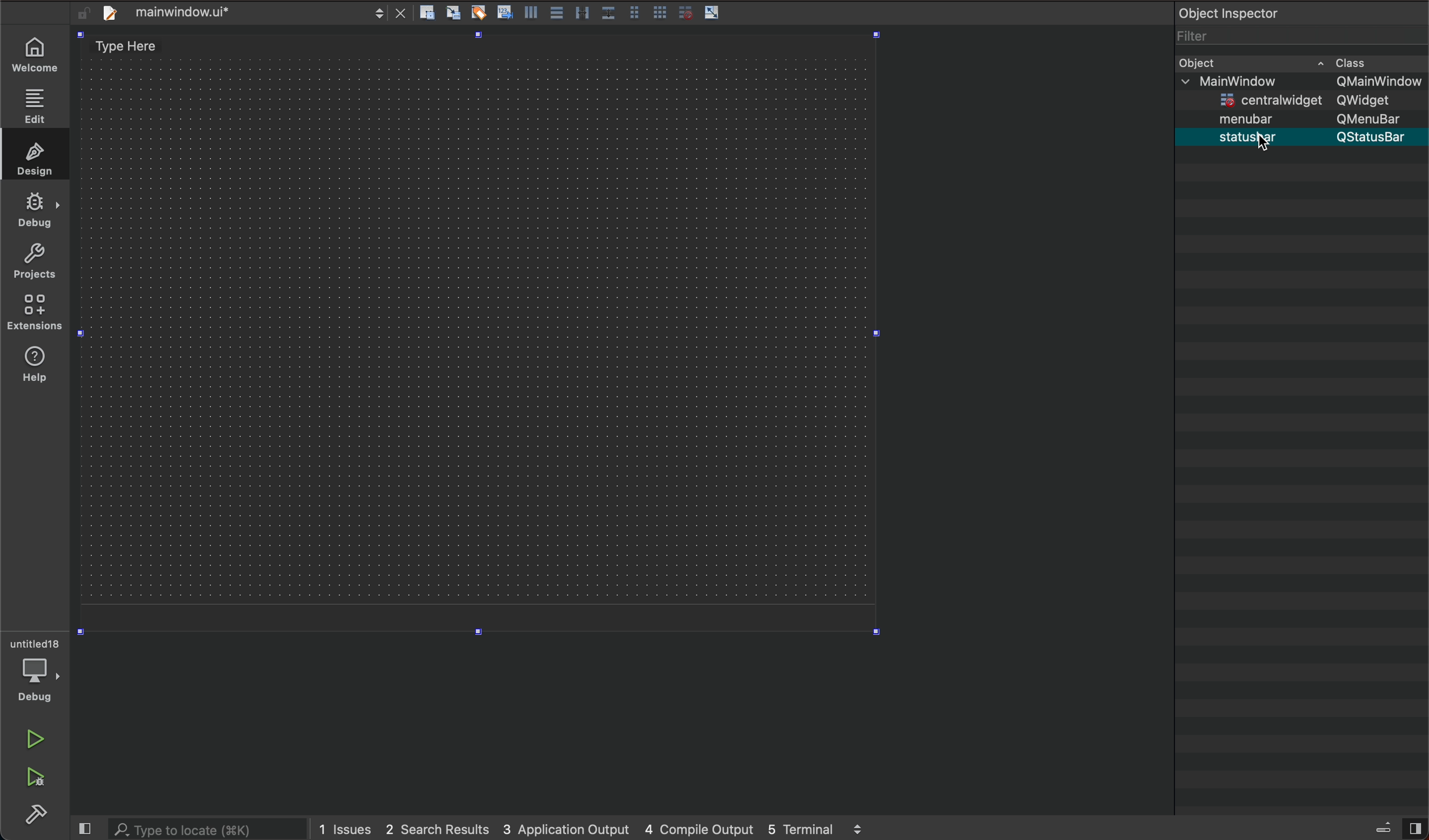 Image resolution: width=1429 pixels, height=840 pixels. What do you see at coordinates (566, 825) in the screenshot?
I see `3 application output` at bounding box center [566, 825].